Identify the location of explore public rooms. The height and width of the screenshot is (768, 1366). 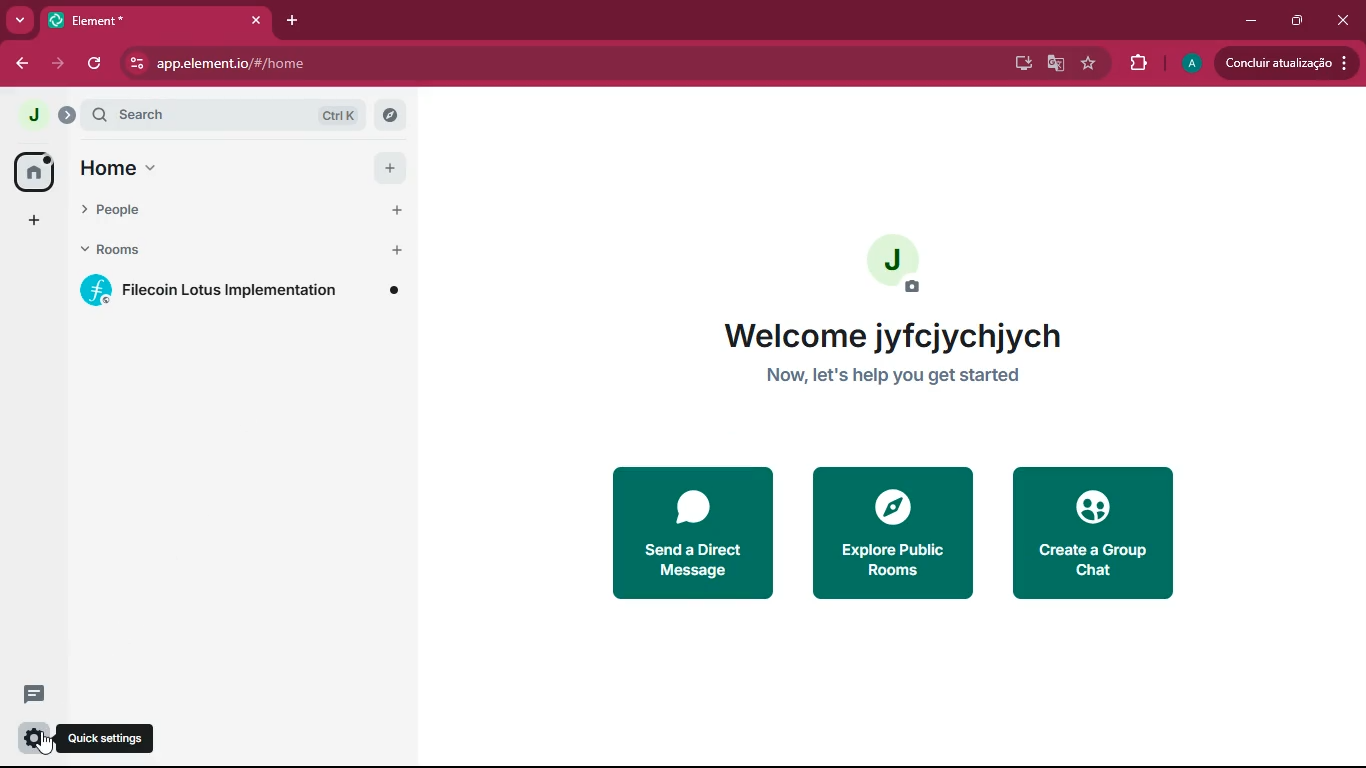
(891, 535).